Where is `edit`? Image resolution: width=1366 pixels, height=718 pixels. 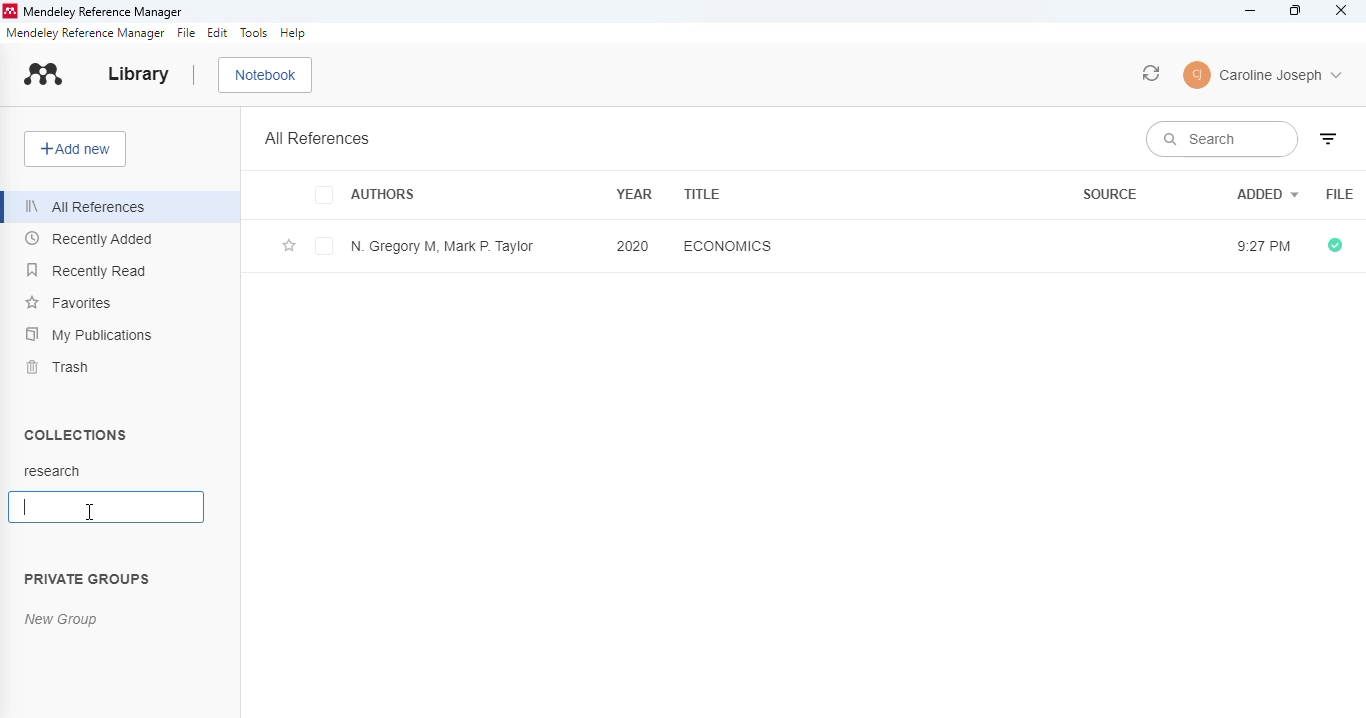 edit is located at coordinates (219, 34).